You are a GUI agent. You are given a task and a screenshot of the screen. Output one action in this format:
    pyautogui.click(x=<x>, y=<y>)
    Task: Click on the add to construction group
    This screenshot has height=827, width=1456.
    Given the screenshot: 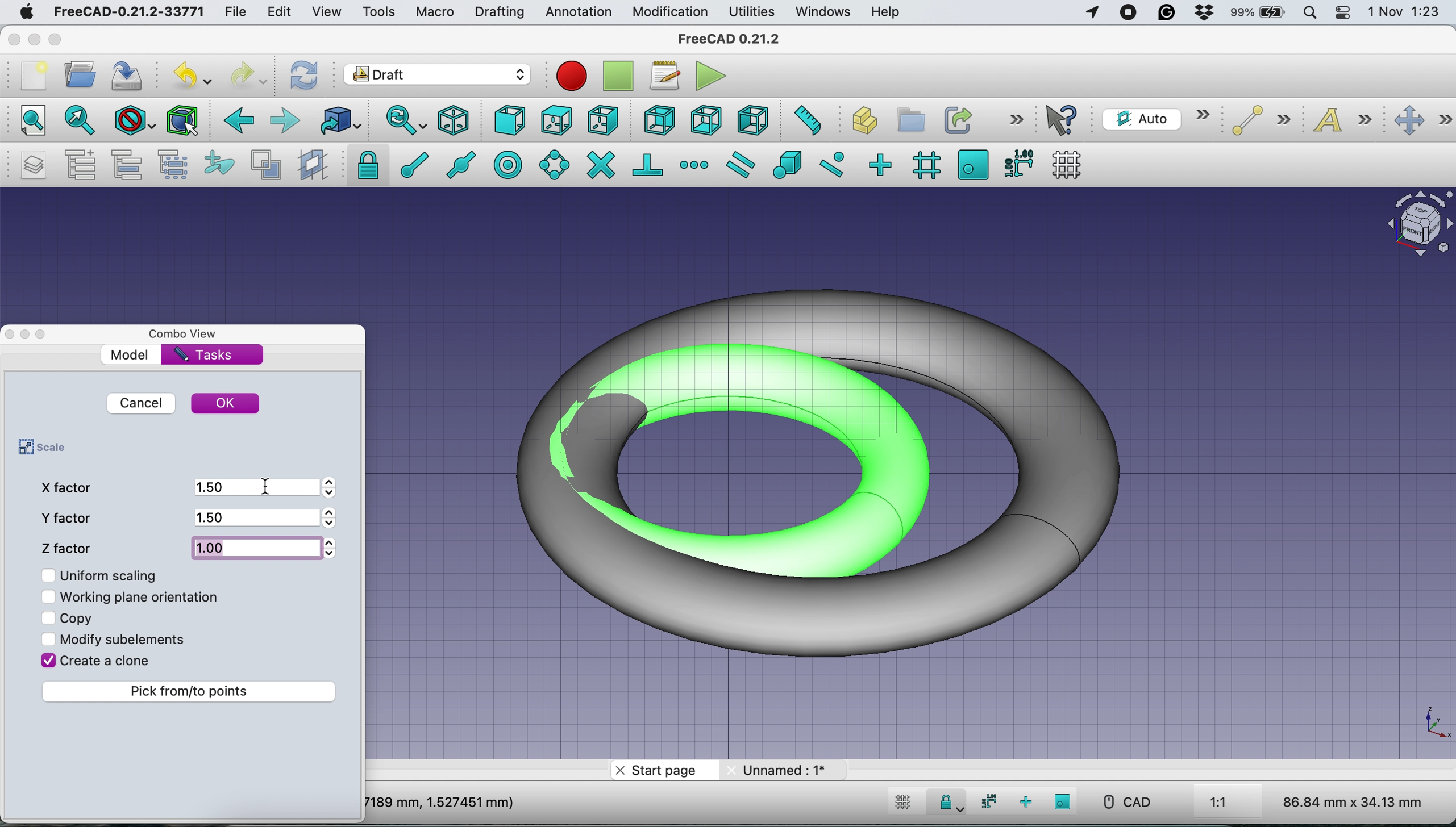 What is the action you would take?
    pyautogui.click(x=215, y=165)
    